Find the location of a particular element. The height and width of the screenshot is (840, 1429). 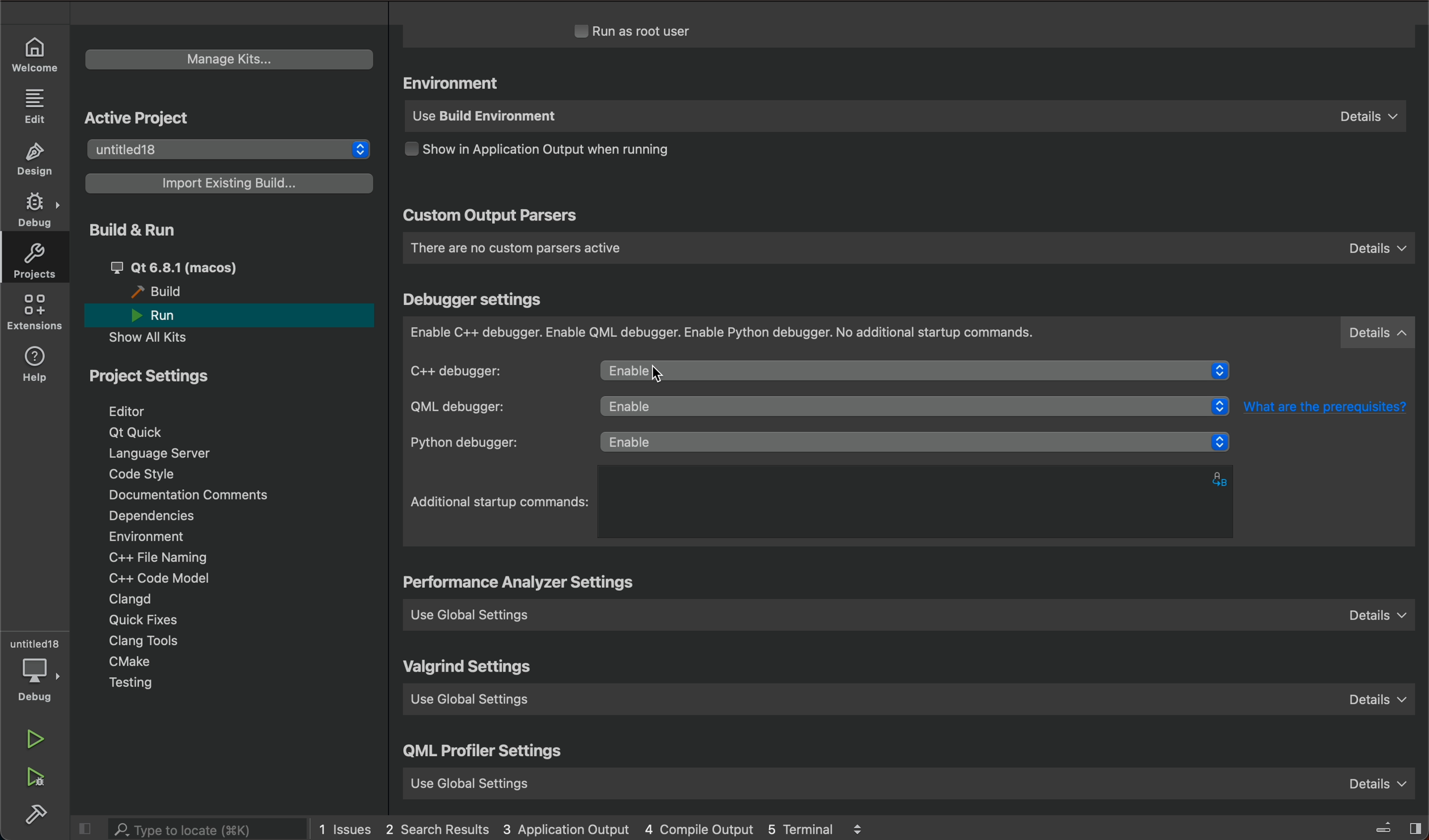

DESIGN is located at coordinates (39, 160).